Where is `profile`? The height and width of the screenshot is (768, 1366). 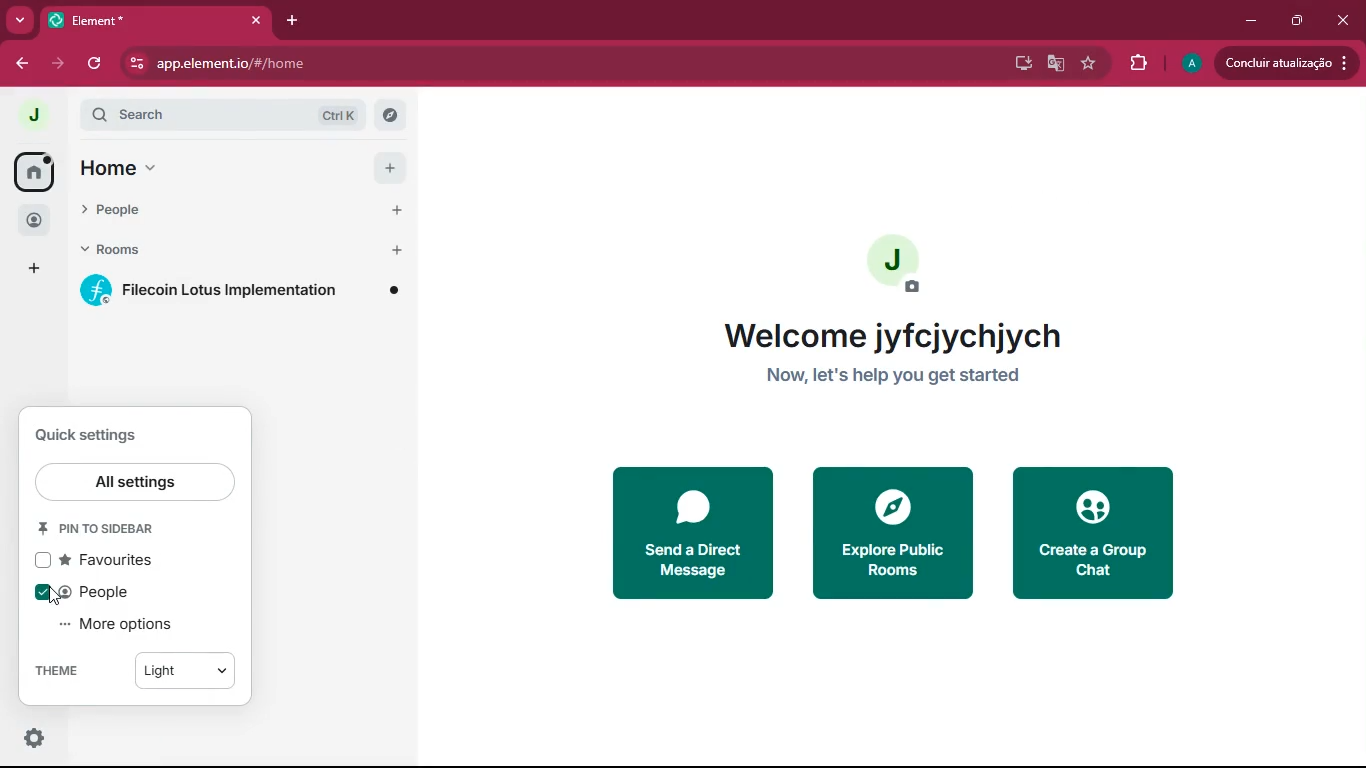 profile is located at coordinates (1191, 65).